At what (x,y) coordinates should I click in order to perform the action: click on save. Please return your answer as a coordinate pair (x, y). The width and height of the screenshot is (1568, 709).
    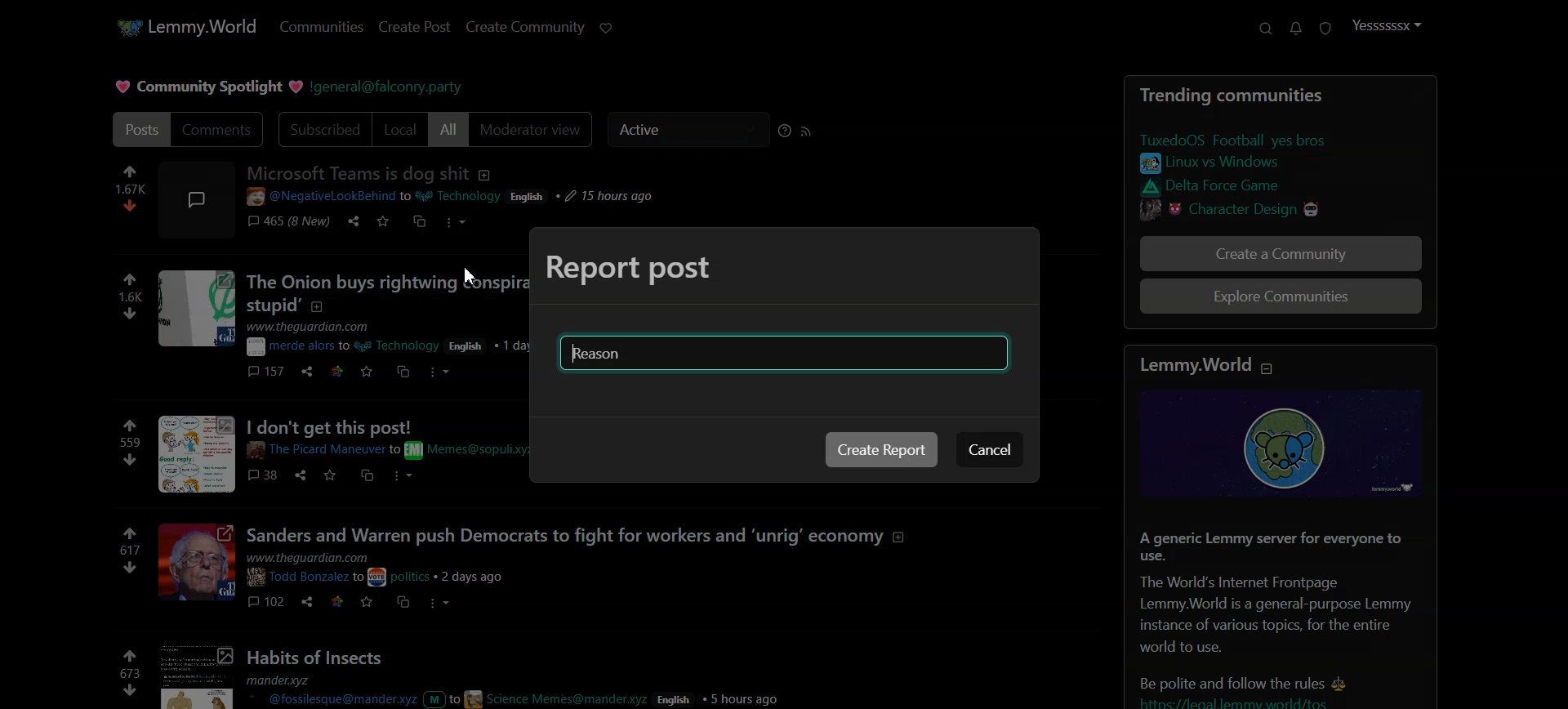
    Looking at the image, I should click on (385, 224).